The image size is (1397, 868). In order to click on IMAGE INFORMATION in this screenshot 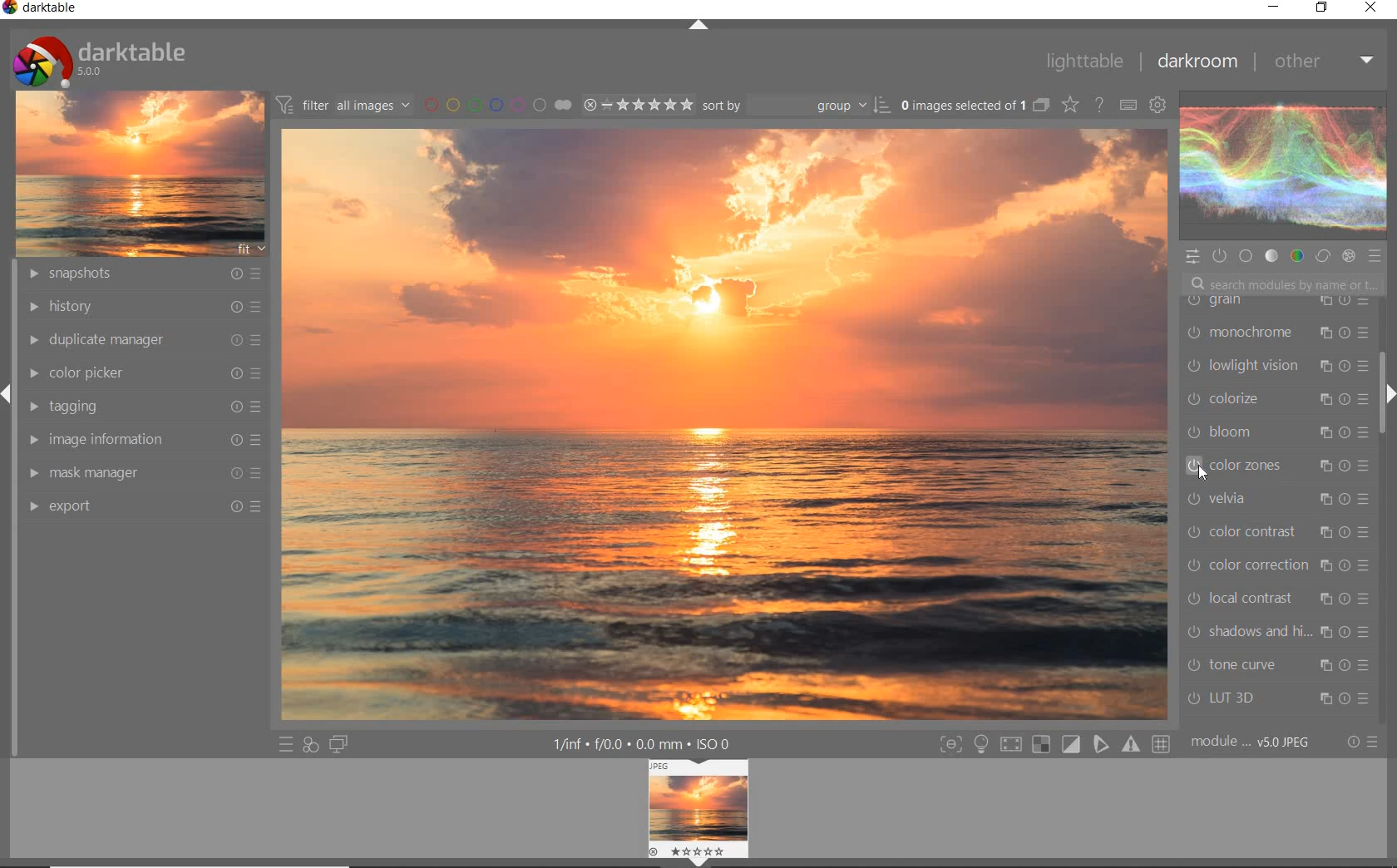, I will do `click(146, 439)`.